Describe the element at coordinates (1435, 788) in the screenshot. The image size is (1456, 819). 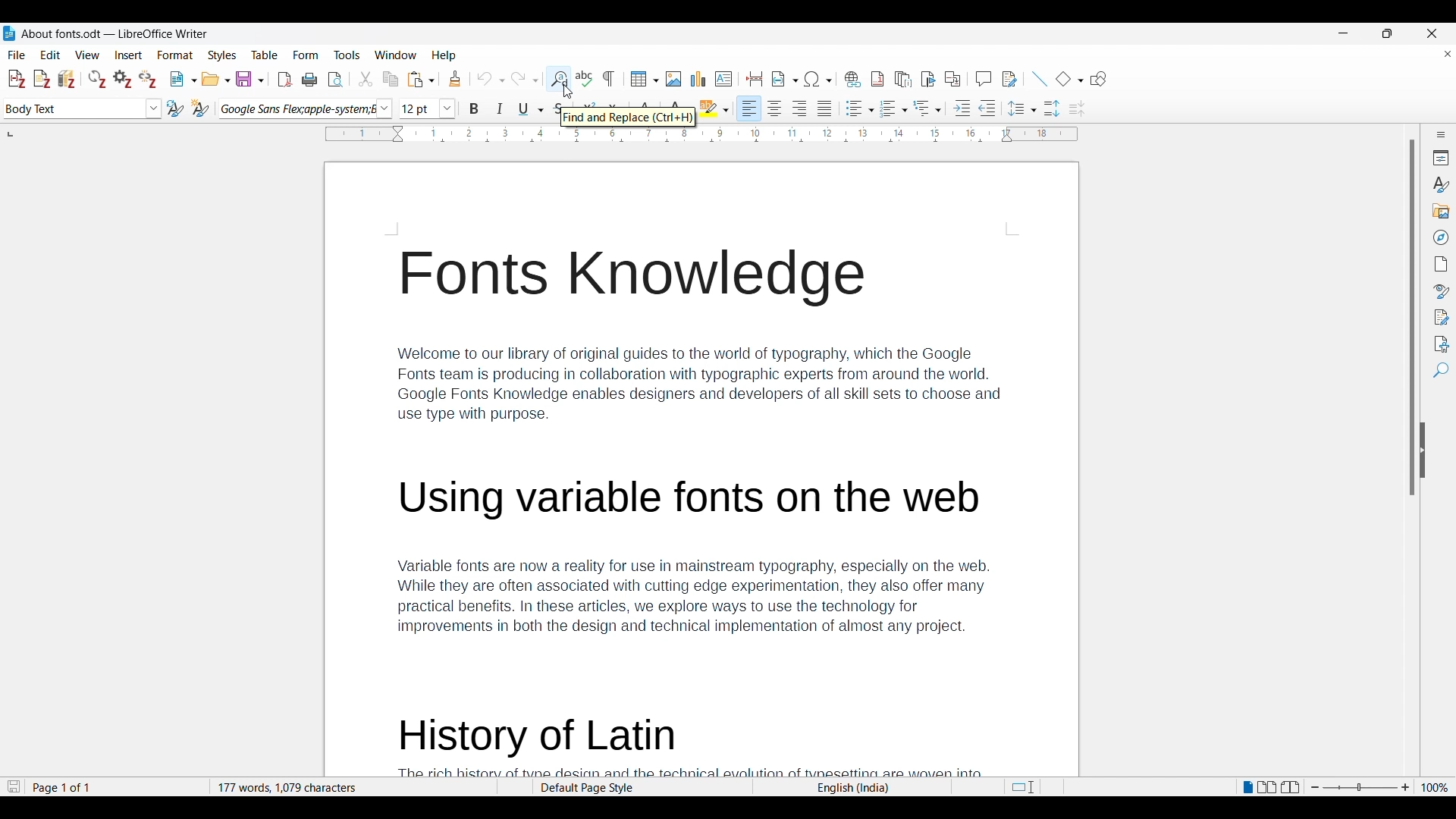
I see `Current zoom factor` at that location.